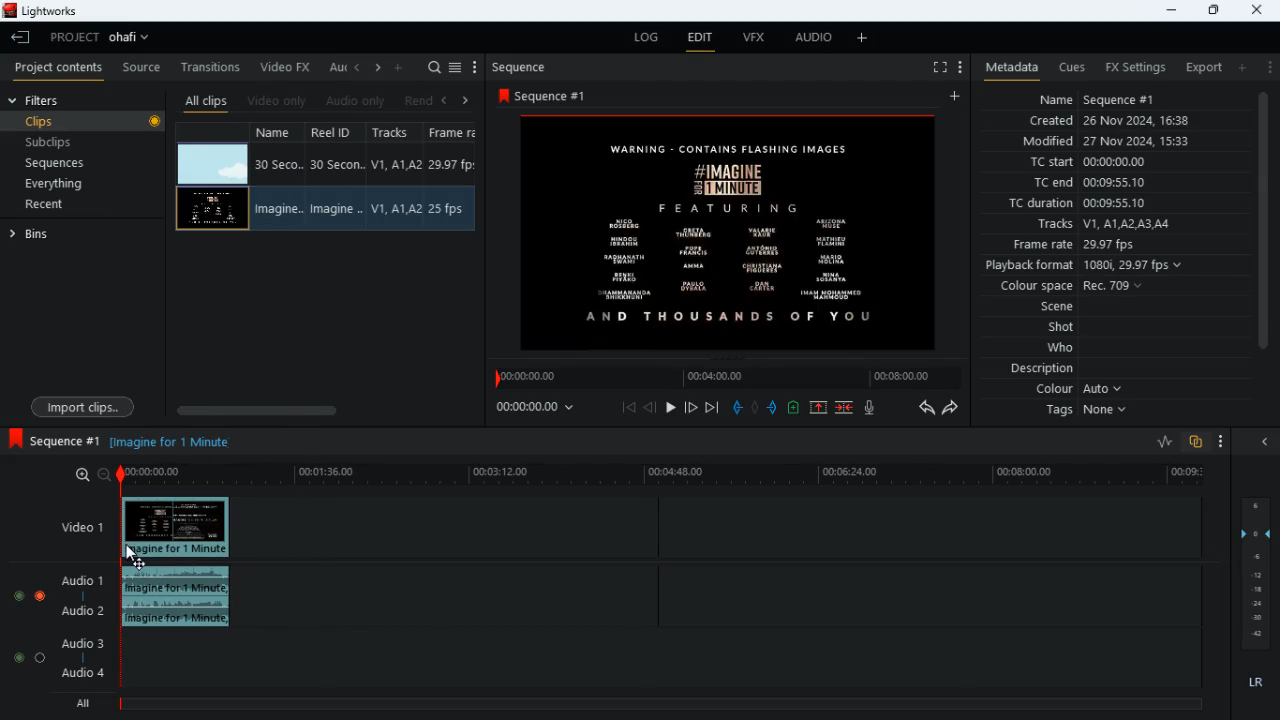 The width and height of the screenshot is (1280, 720). Describe the element at coordinates (1008, 66) in the screenshot. I see `metadata` at that location.